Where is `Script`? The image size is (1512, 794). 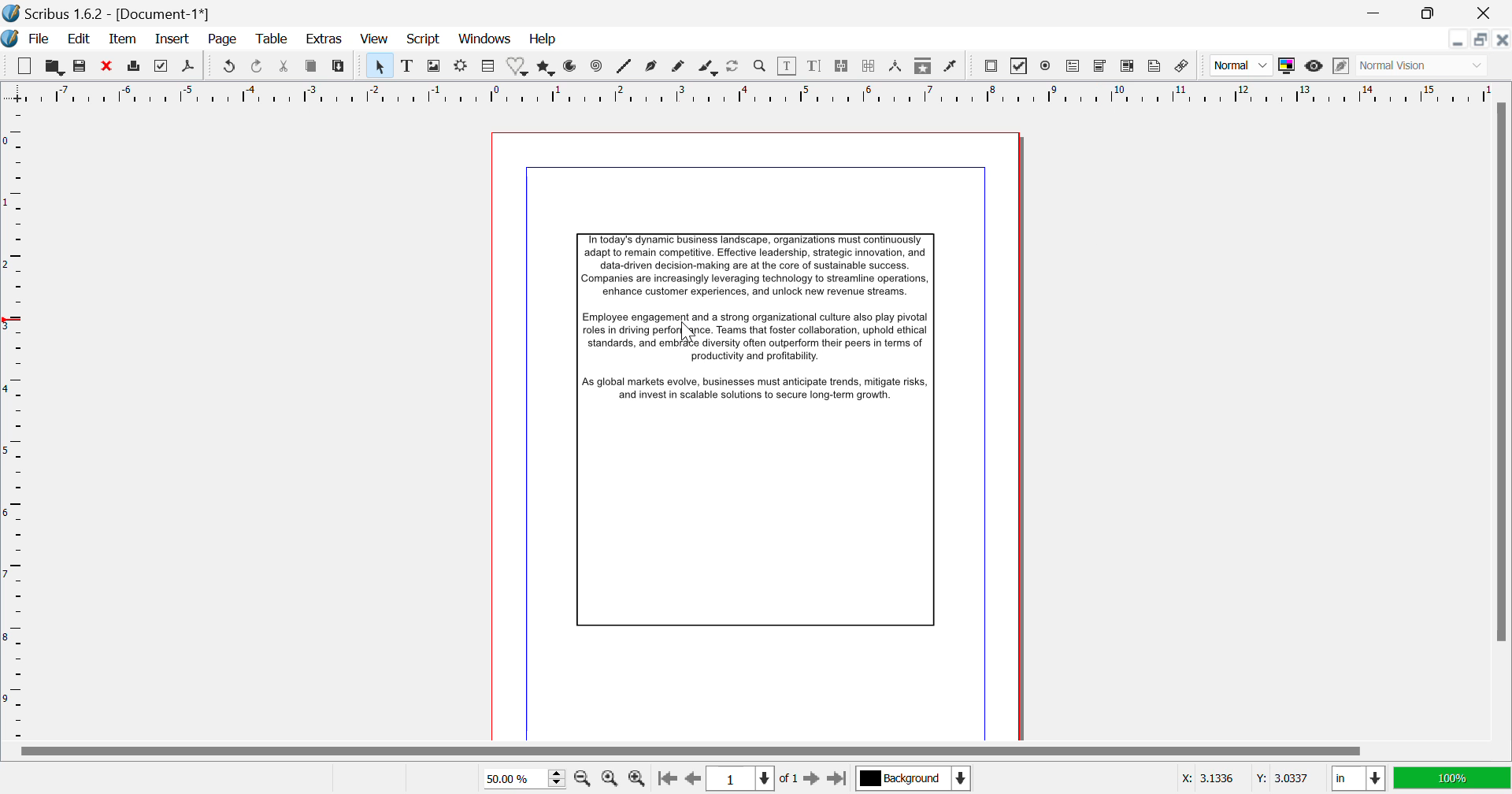 Script is located at coordinates (422, 40).